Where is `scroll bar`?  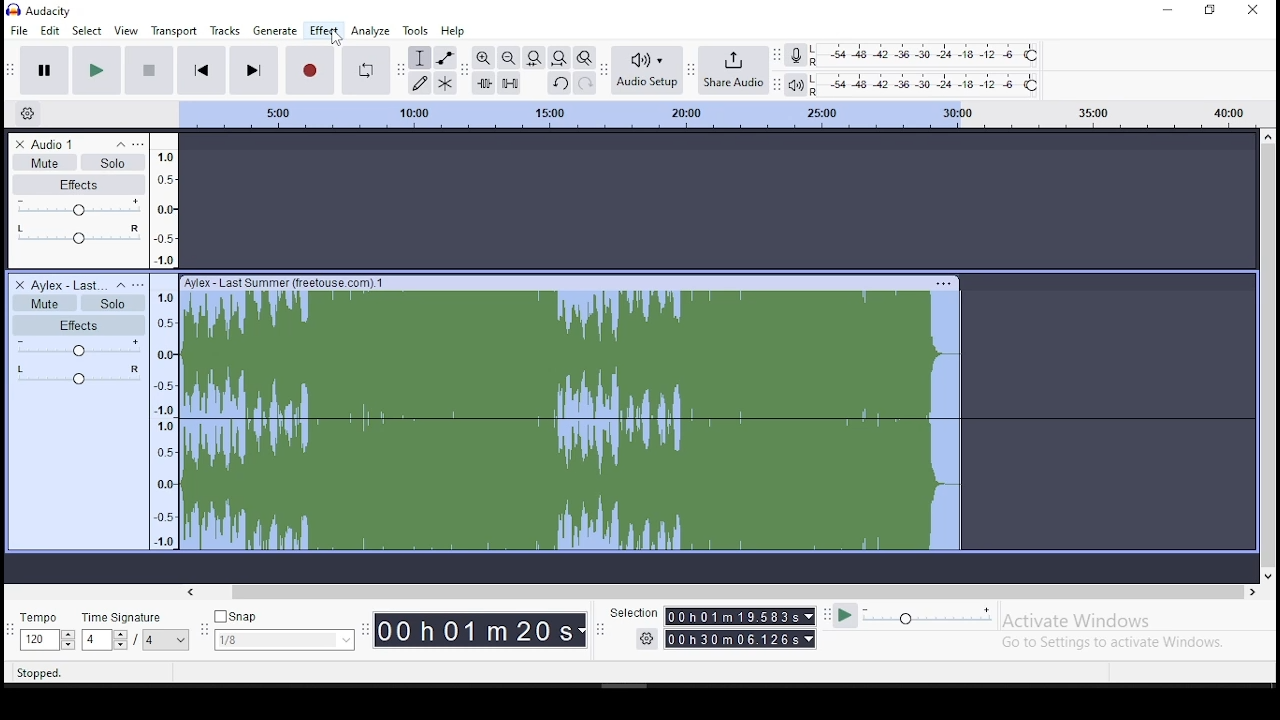
scroll bar is located at coordinates (724, 591).